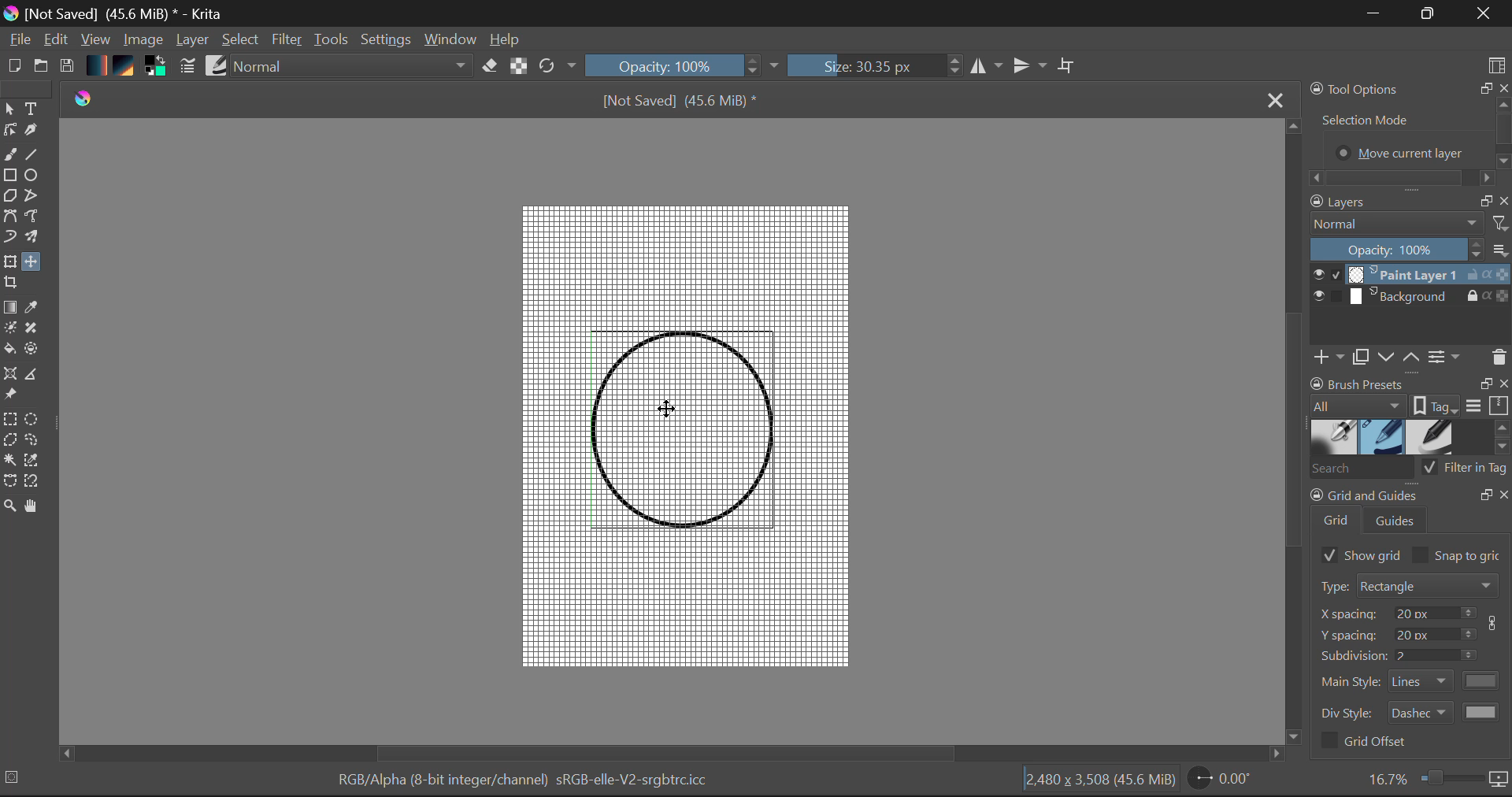  Describe the element at coordinates (1498, 64) in the screenshot. I see `Choose Workspace` at that location.